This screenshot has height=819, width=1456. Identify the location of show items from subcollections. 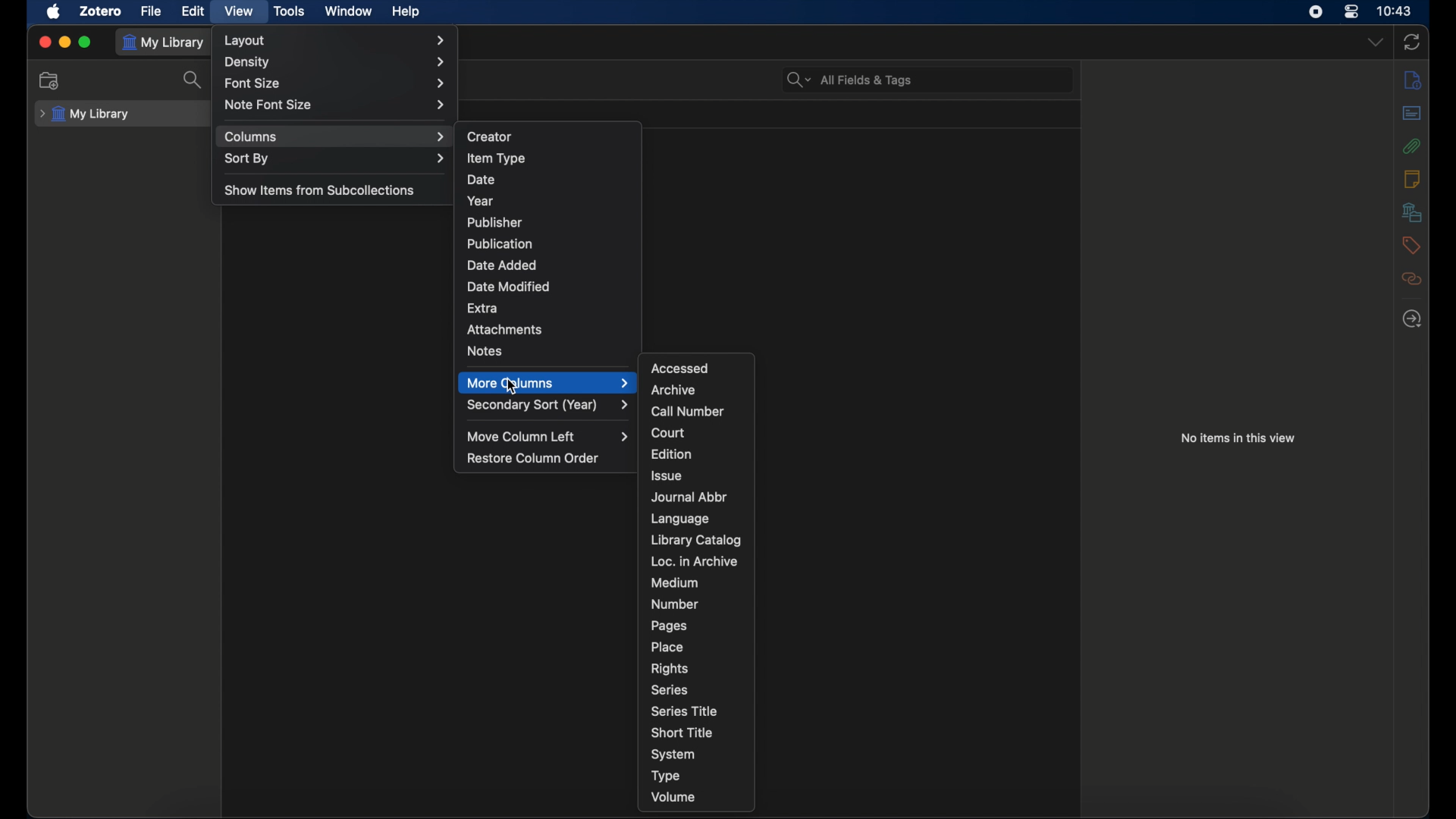
(320, 191).